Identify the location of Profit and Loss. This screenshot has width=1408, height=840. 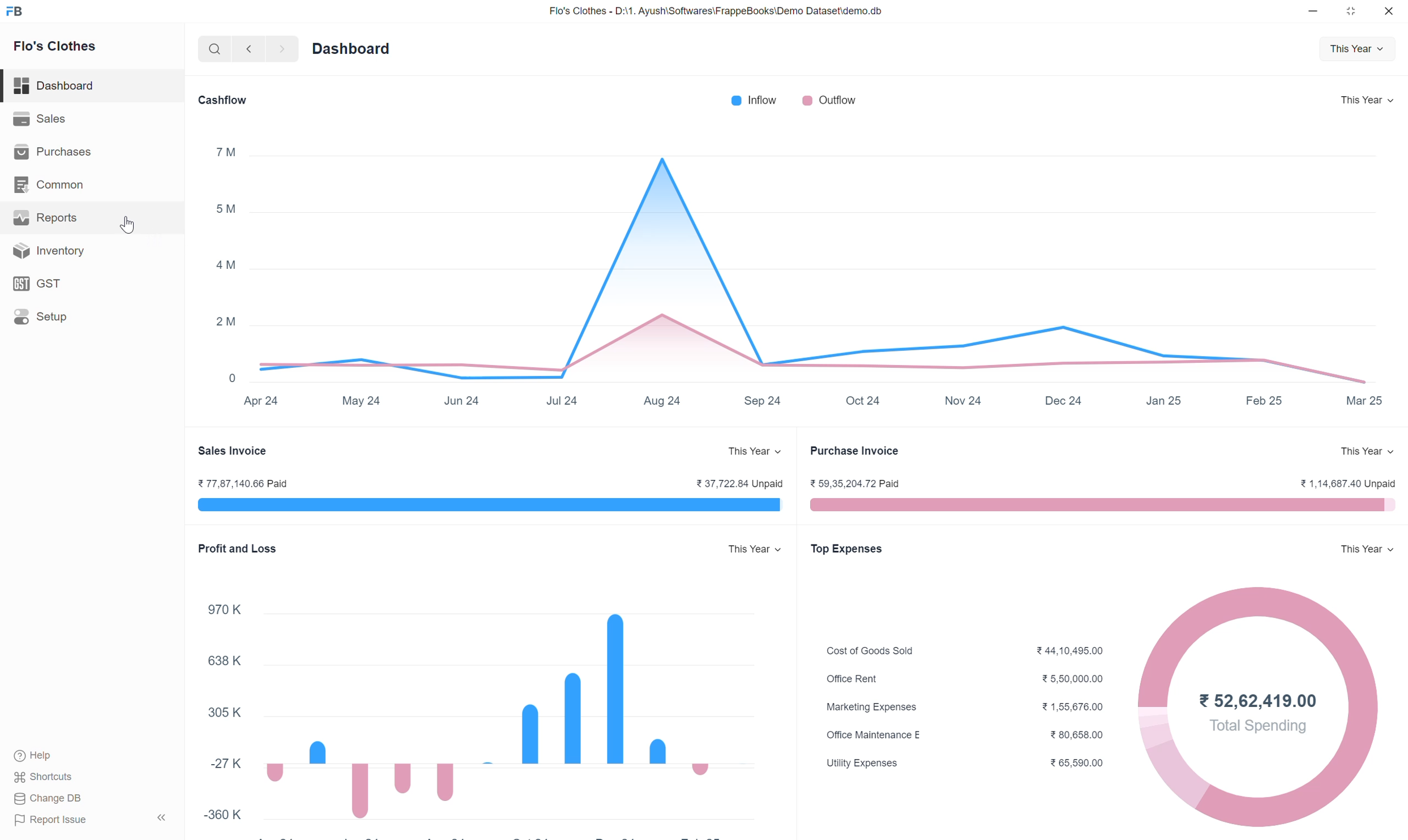
(236, 548).